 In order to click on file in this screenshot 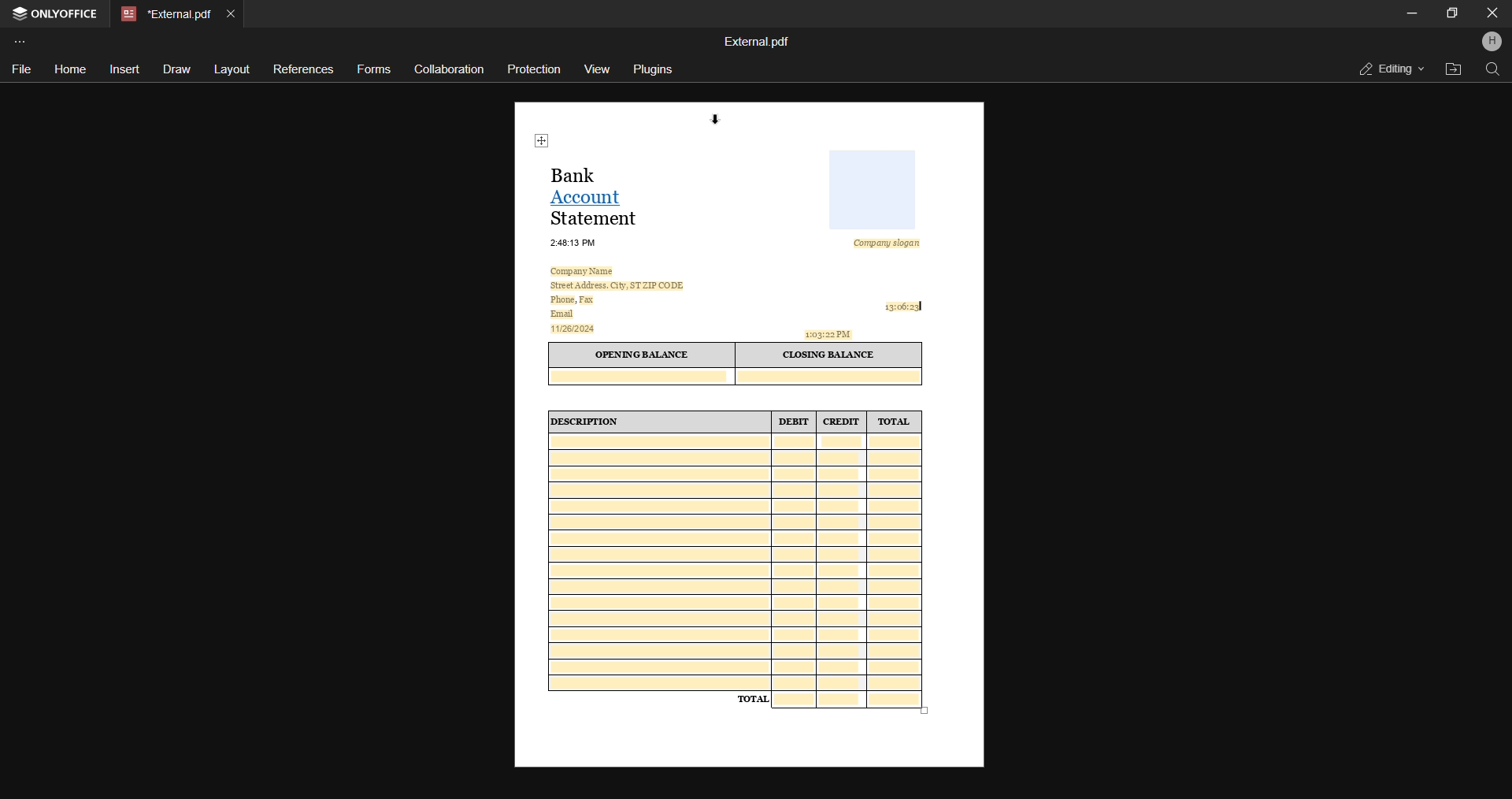, I will do `click(21, 68)`.